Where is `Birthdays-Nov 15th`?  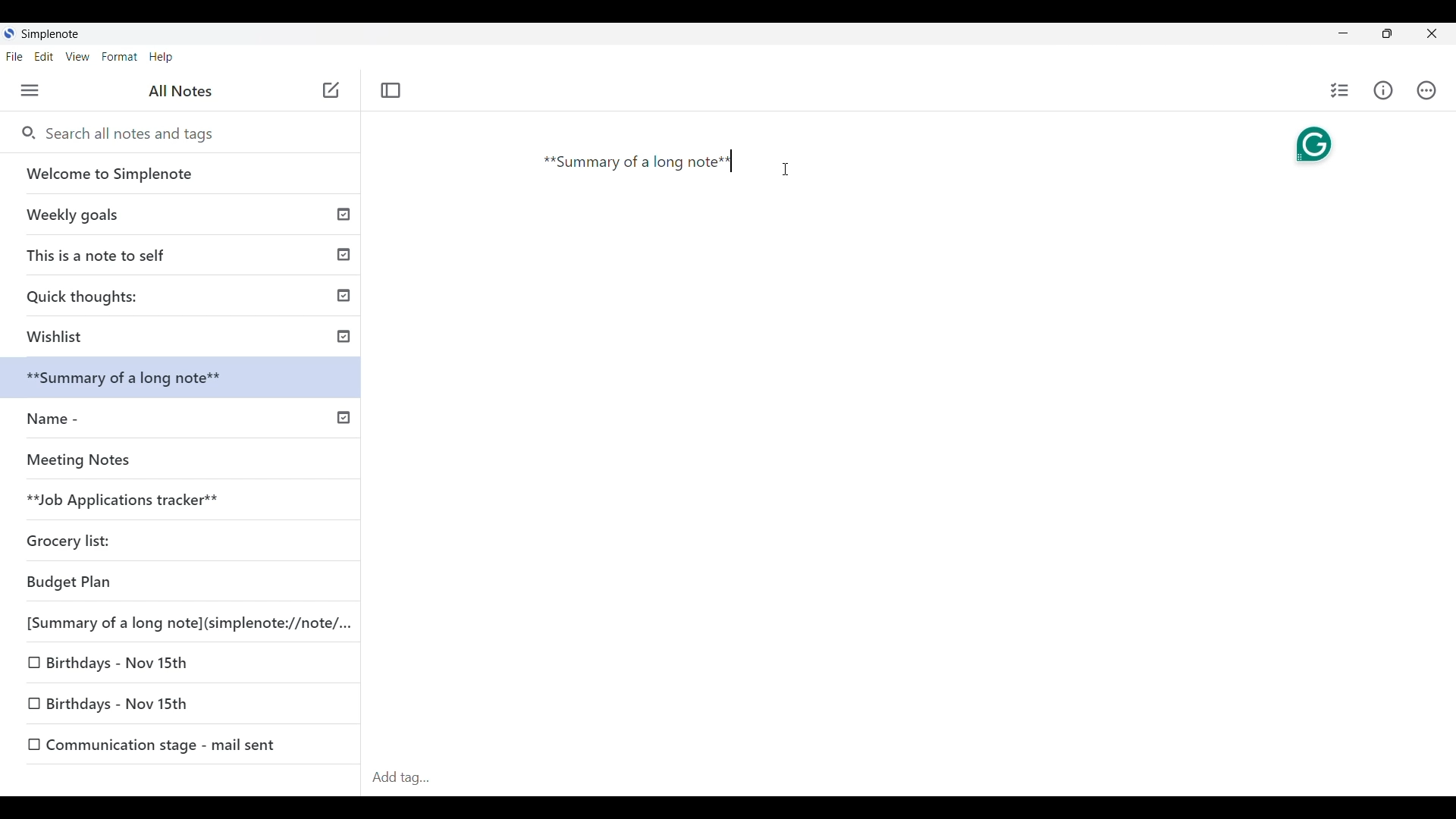 Birthdays-Nov 15th is located at coordinates (155, 708).